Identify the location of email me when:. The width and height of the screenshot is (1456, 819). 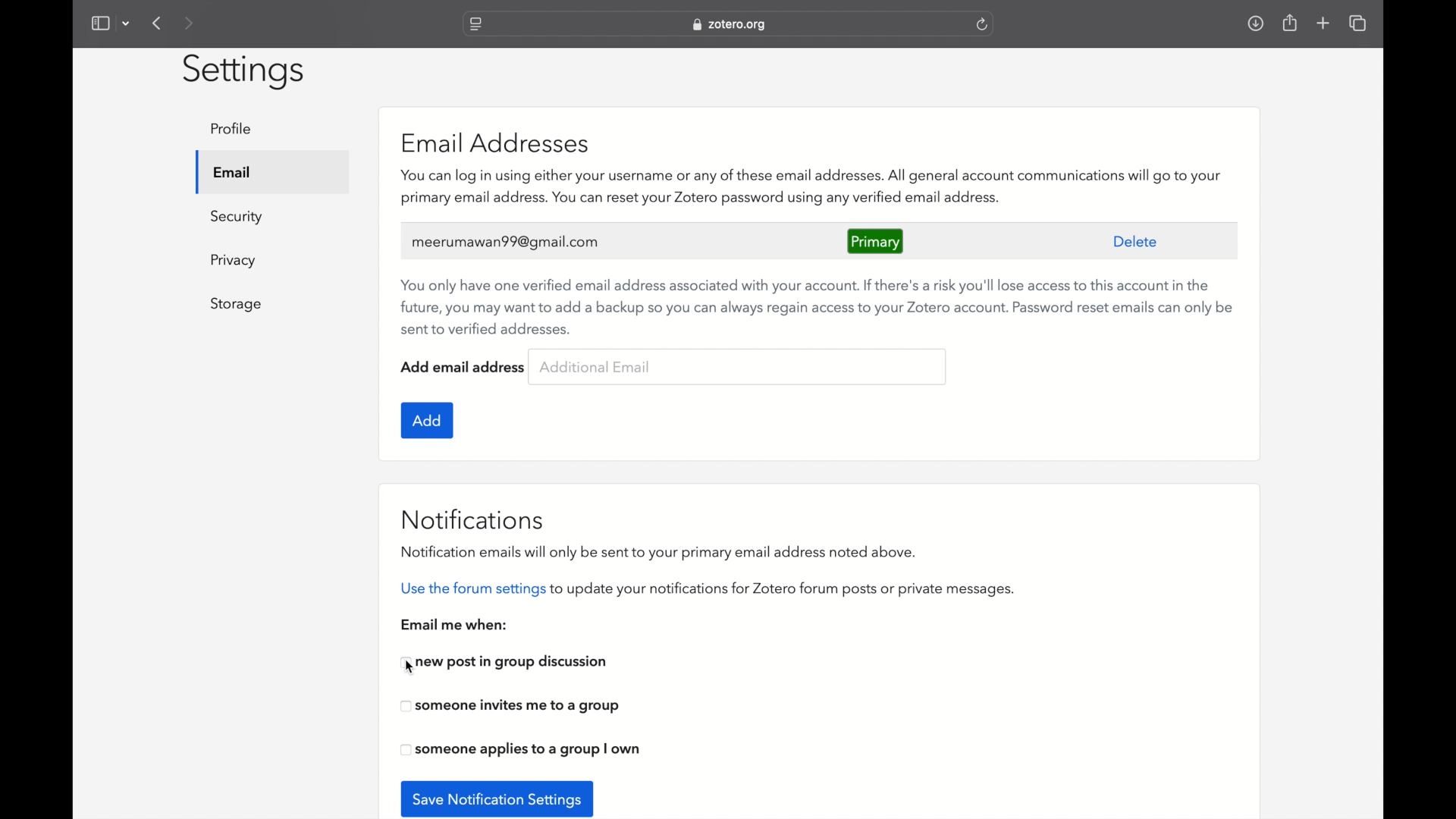
(456, 625).